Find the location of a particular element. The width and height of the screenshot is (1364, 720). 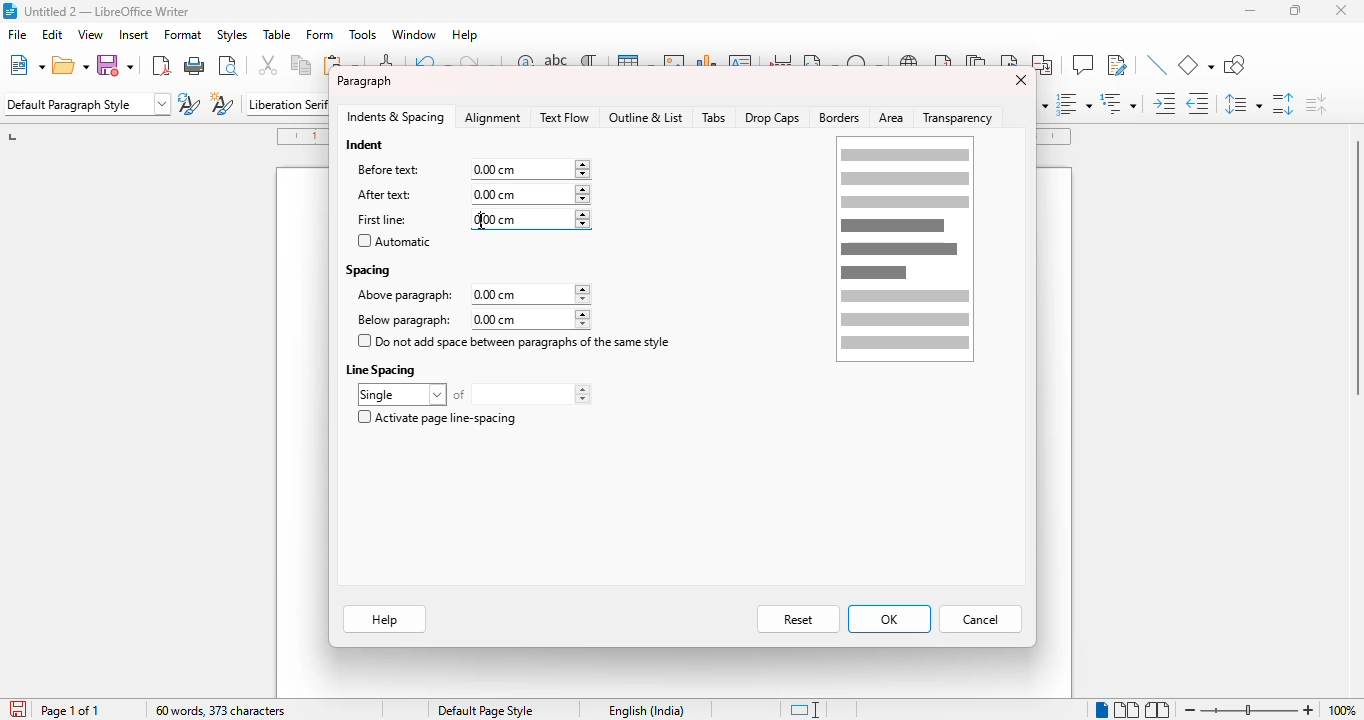

text language is located at coordinates (648, 710).